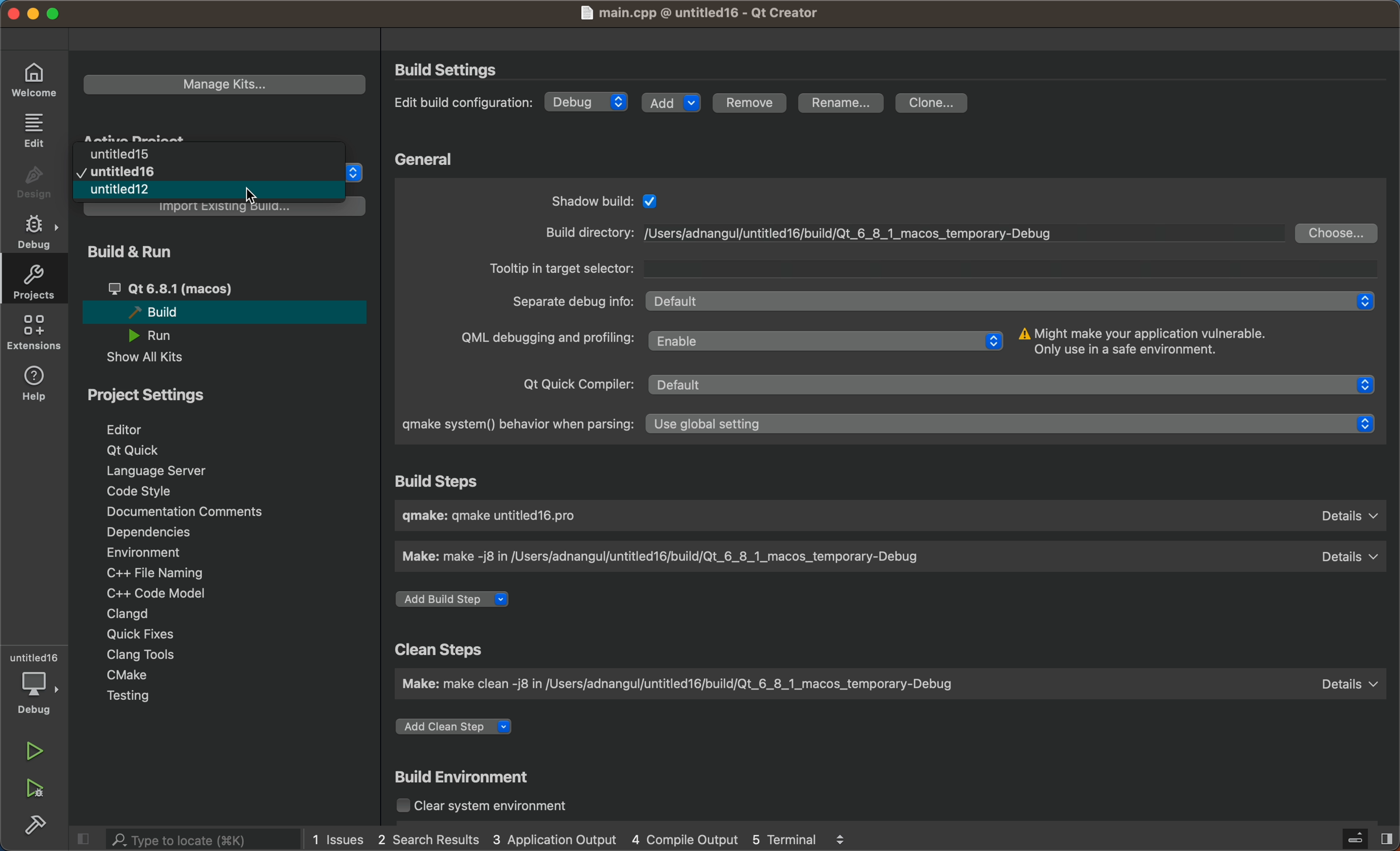 This screenshot has height=851, width=1400. Describe the element at coordinates (189, 840) in the screenshot. I see `search` at that location.